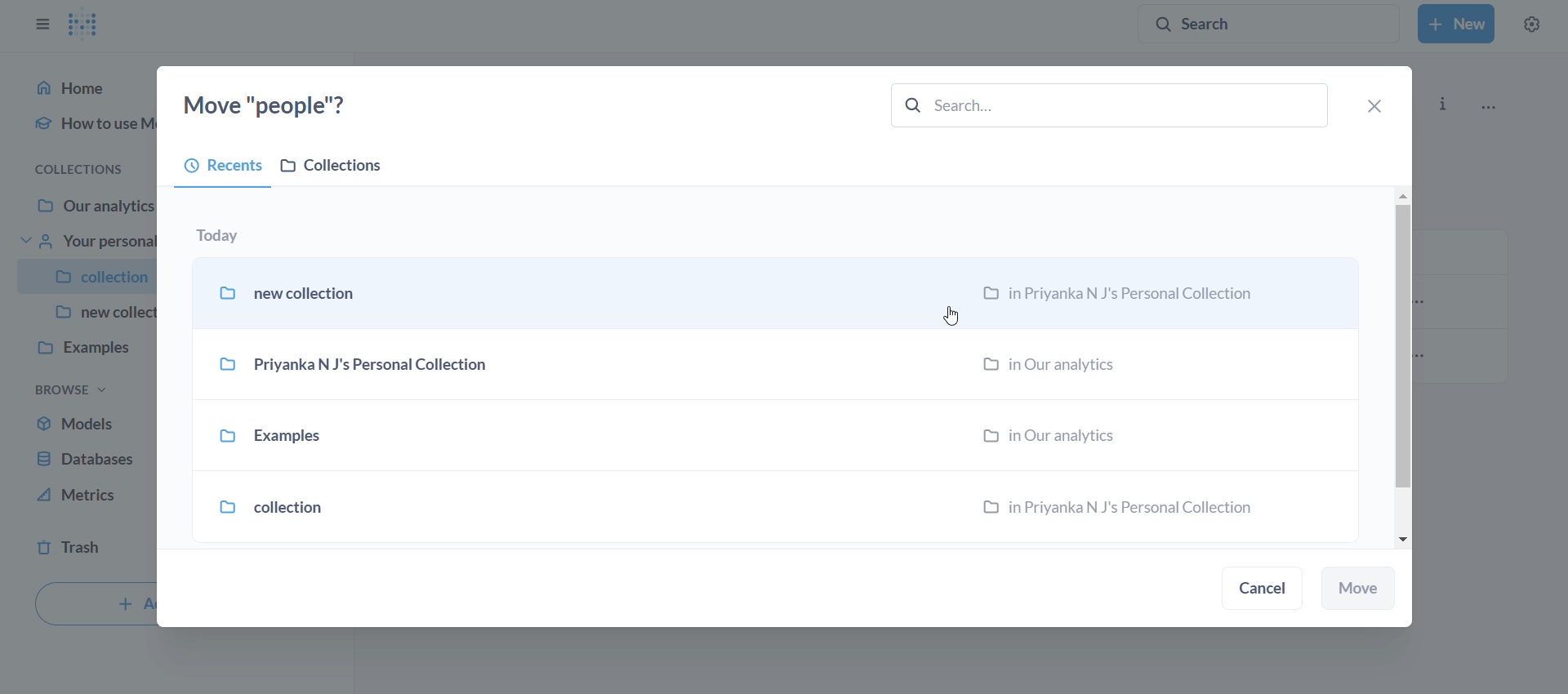  Describe the element at coordinates (82, 277) in the screenshot. I see `collection` at that location.